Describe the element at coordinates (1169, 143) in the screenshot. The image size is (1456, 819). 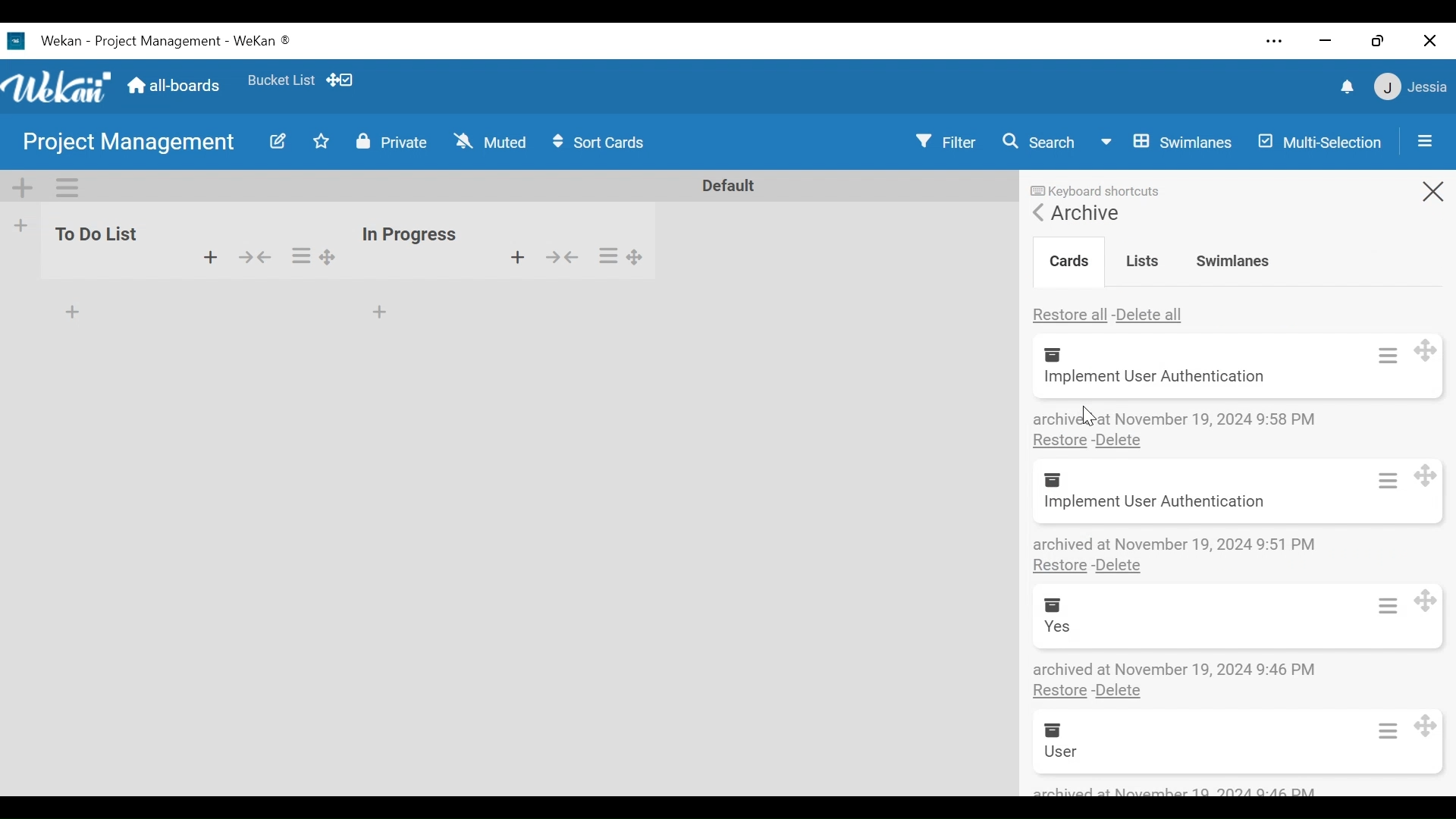
I see `Board View` at that location.